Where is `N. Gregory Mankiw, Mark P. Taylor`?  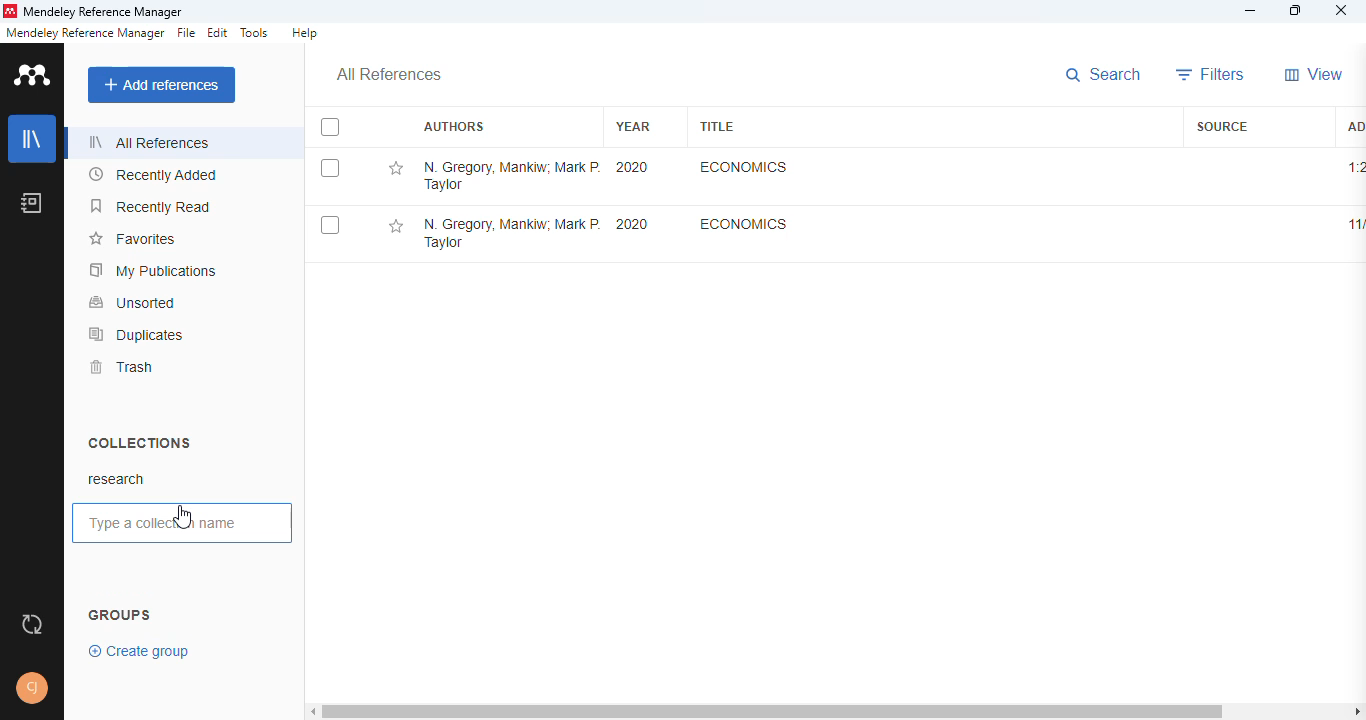
N. Gregory Mankiw, Mark P. Taylor is located at coordinates (511, 175).